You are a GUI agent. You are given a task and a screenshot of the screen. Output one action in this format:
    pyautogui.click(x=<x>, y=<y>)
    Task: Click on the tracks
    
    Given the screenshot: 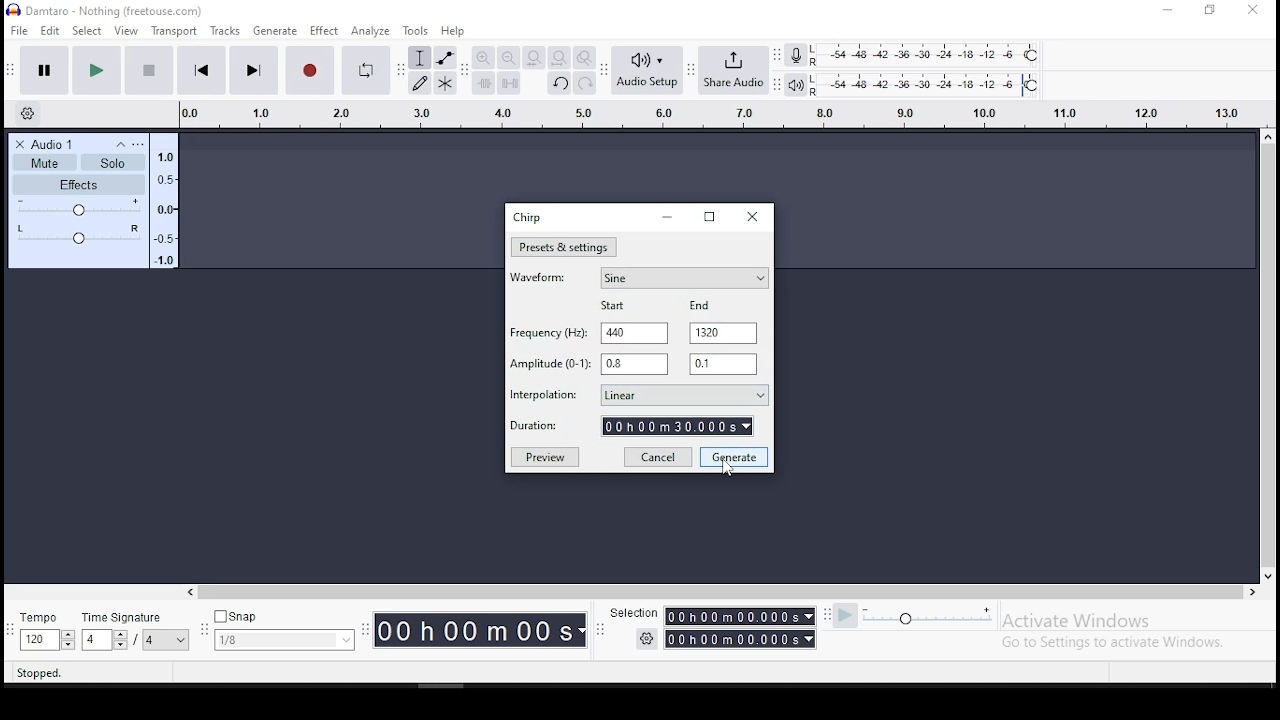 What is the action you would take?
    pyautogui.click(x=226, y=31)
    